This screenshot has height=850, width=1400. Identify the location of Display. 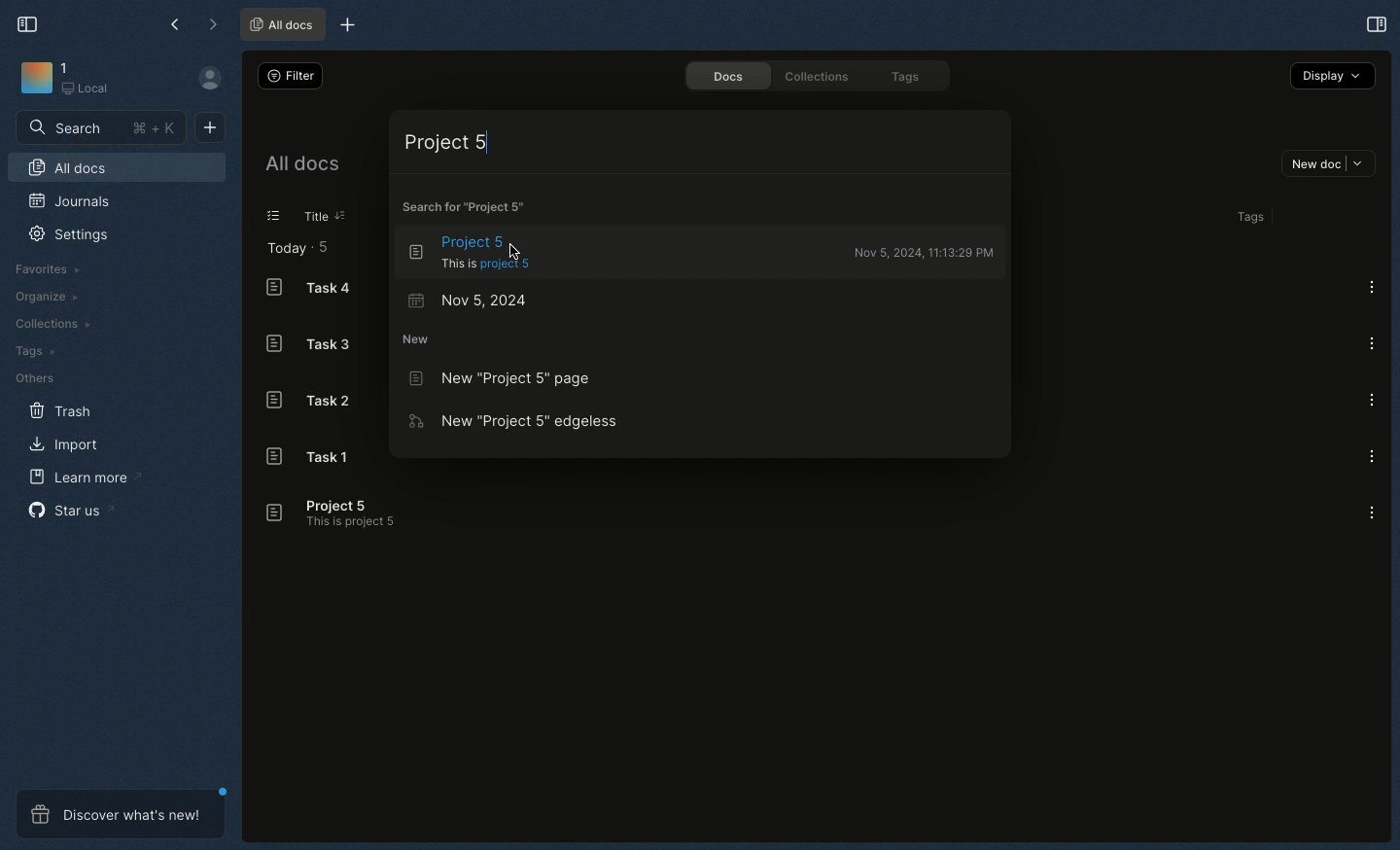
(1333, 78).